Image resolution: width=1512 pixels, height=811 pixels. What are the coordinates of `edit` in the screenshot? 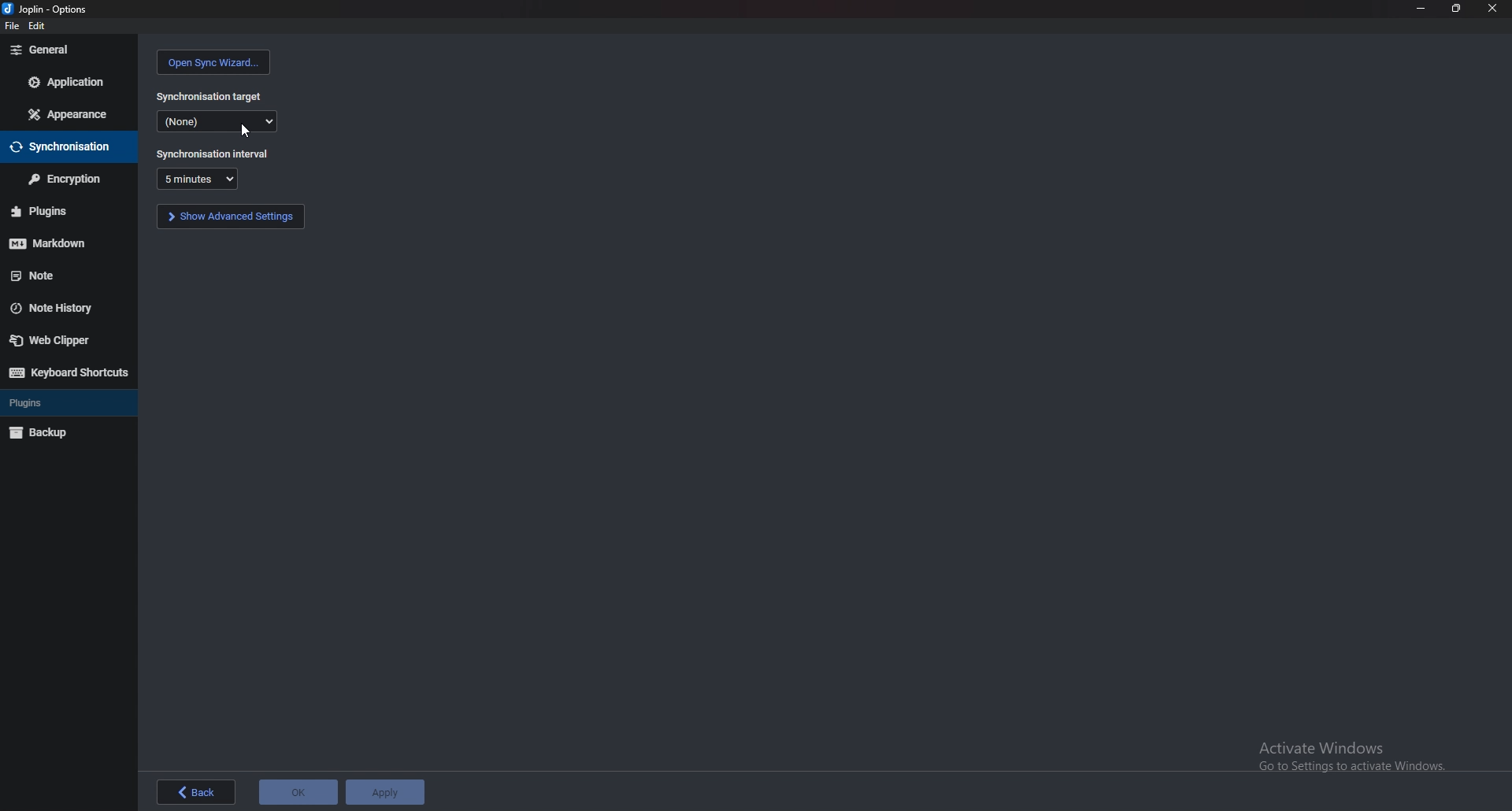 It's located at (40, 25).